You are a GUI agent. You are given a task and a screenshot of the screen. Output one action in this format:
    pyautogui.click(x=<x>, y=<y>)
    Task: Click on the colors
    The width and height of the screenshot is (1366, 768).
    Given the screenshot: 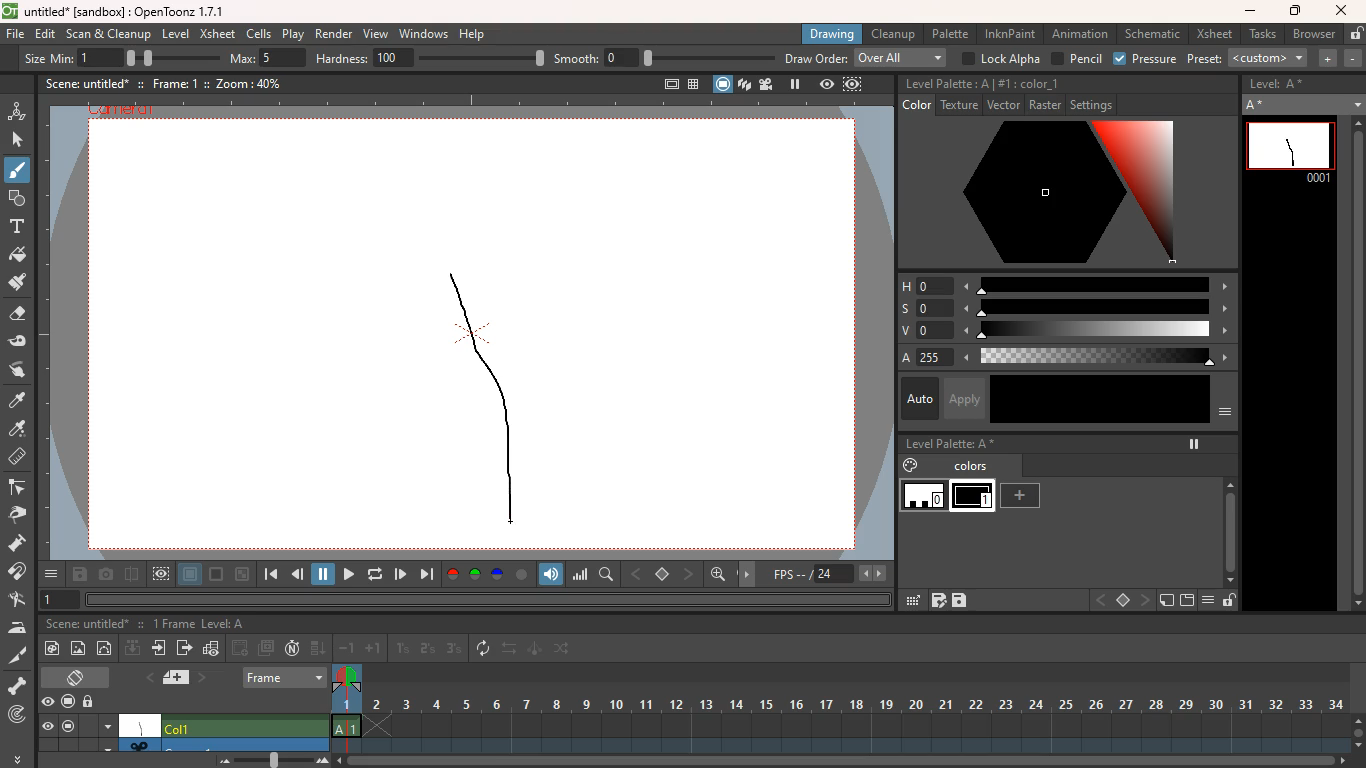 What is the action you would take?
    pyautogui.click(x=972, y=468)
    